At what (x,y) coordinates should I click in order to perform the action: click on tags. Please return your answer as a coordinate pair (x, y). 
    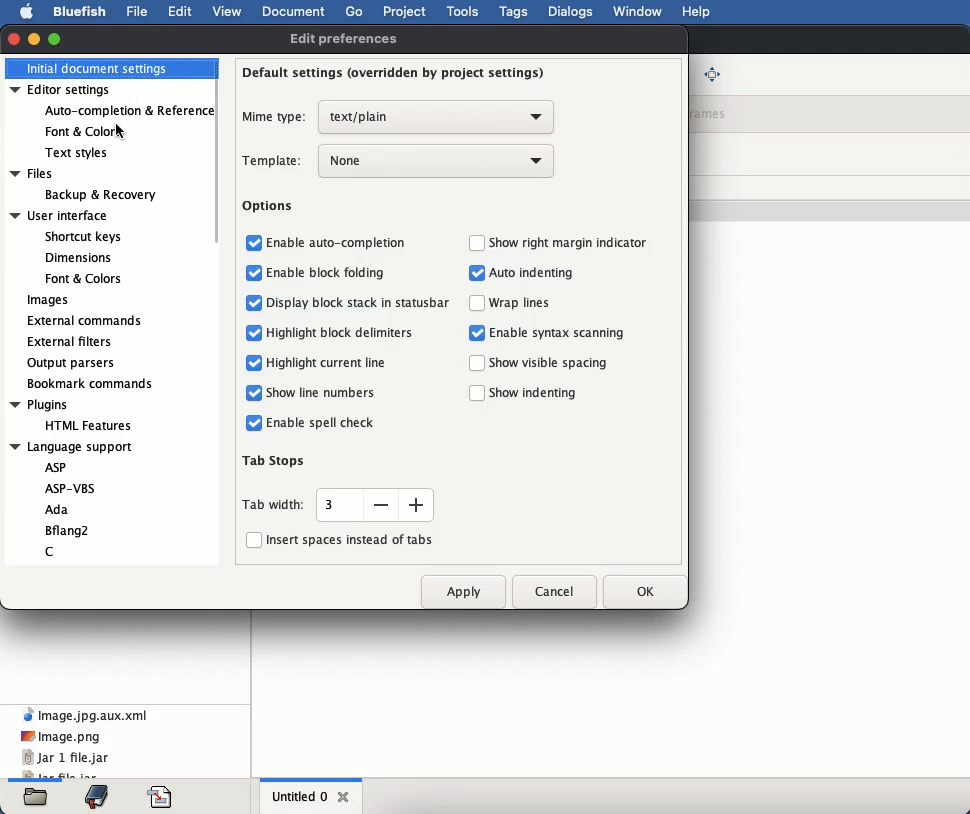
    Looking at the image, I should click on (514, 12).